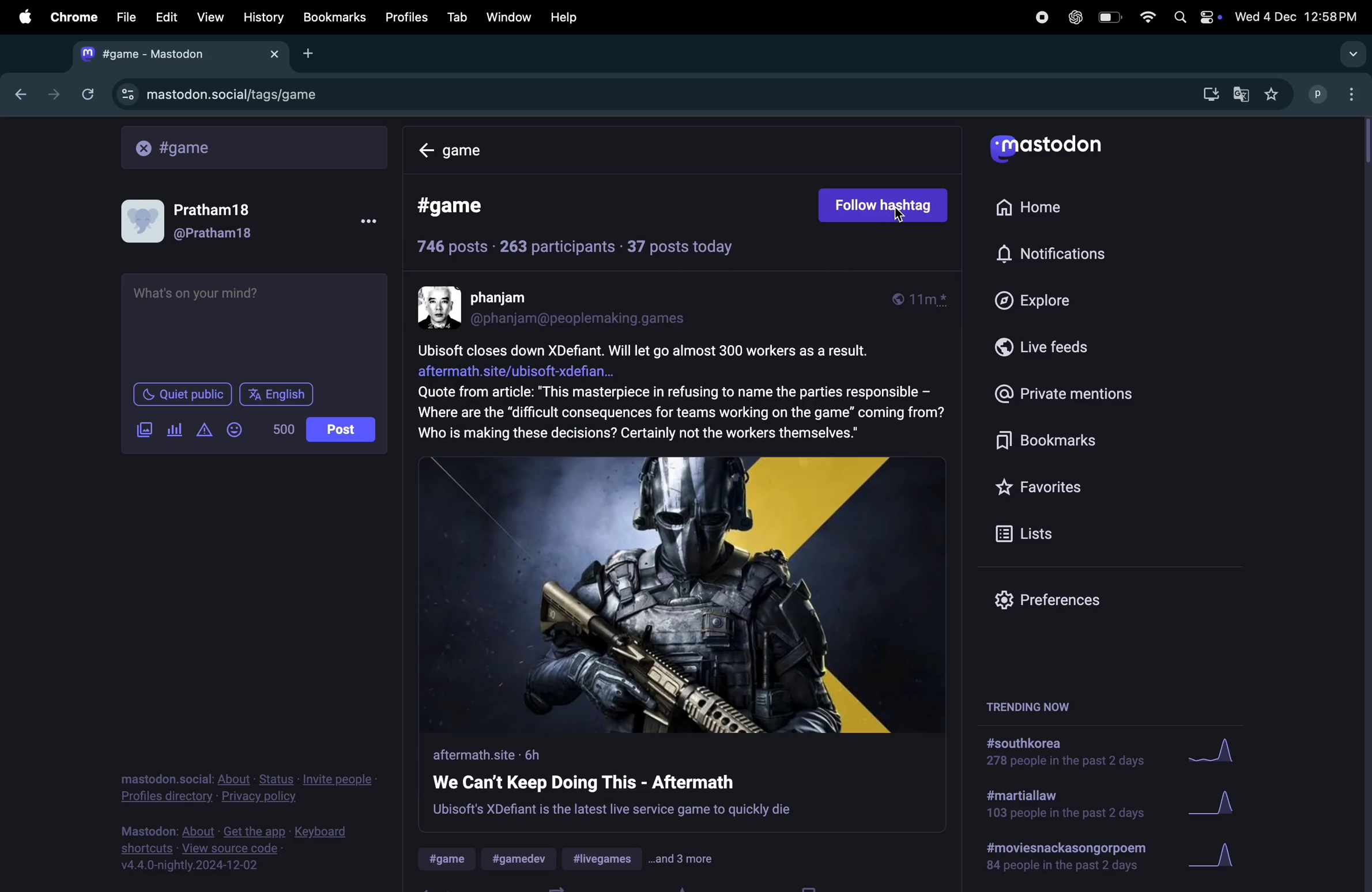 This screenshot has height=892, width=1372. What do you see at coordinates (409, 17) in the screenshot?
I see `Profiles` at bounding box center [409, 17].